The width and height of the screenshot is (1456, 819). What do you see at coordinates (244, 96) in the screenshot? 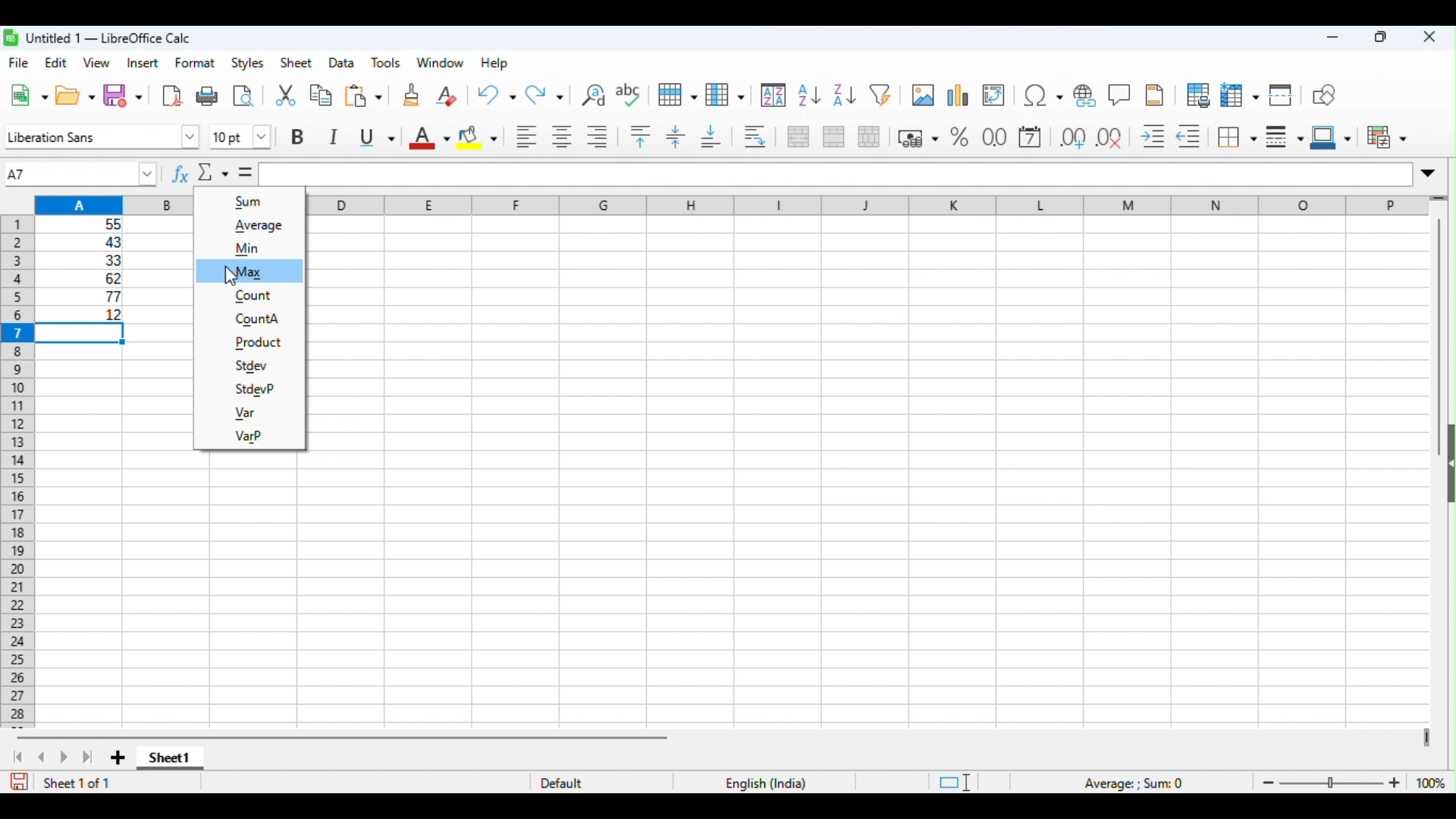
I see `toggle print preview` at bounding box center [244, 96].